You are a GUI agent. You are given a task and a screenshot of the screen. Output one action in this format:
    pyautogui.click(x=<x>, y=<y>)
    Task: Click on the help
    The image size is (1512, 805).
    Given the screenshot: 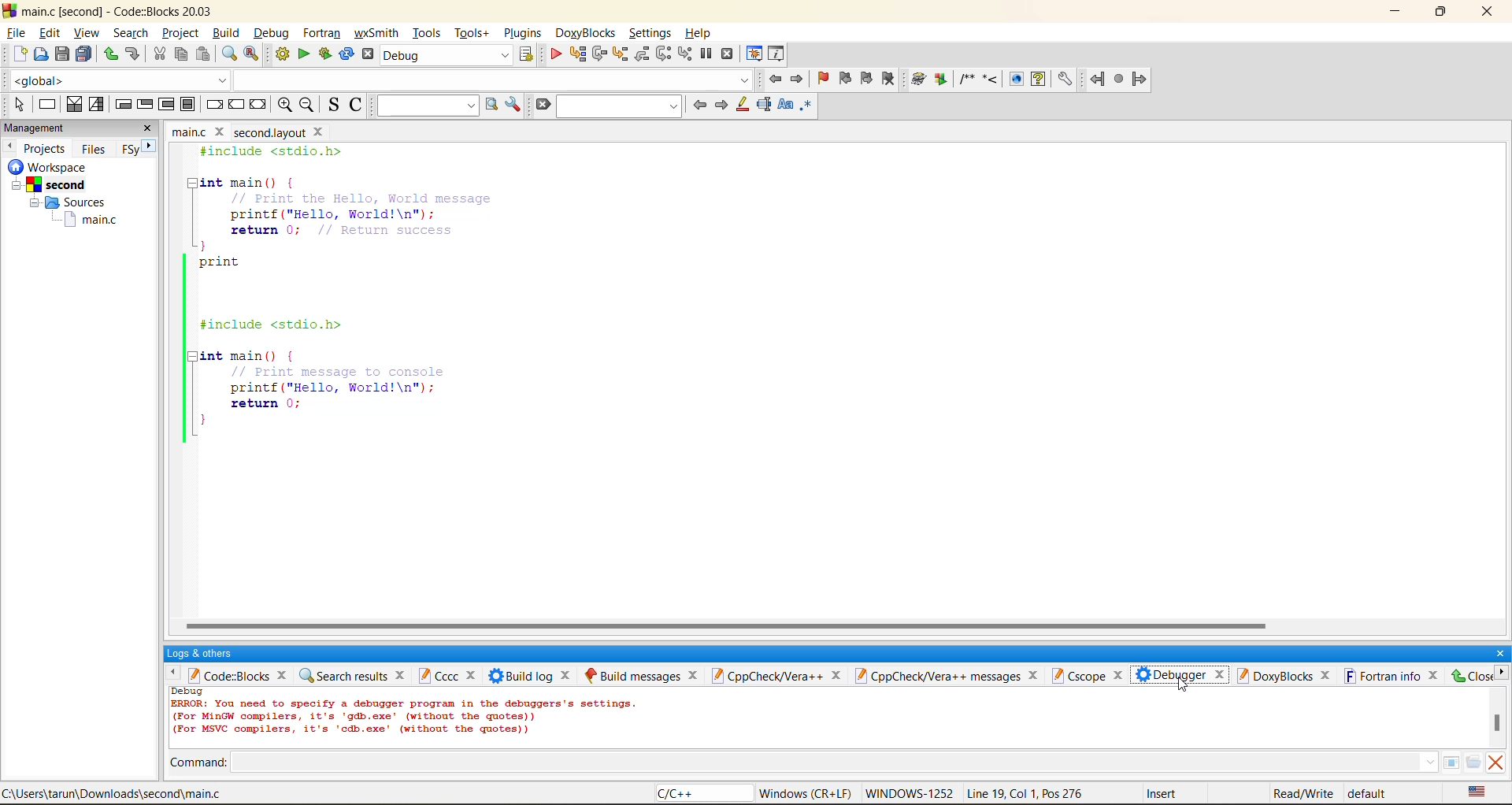 What is the action you would take?
    pyautogui.click(x=702, y=29)
    